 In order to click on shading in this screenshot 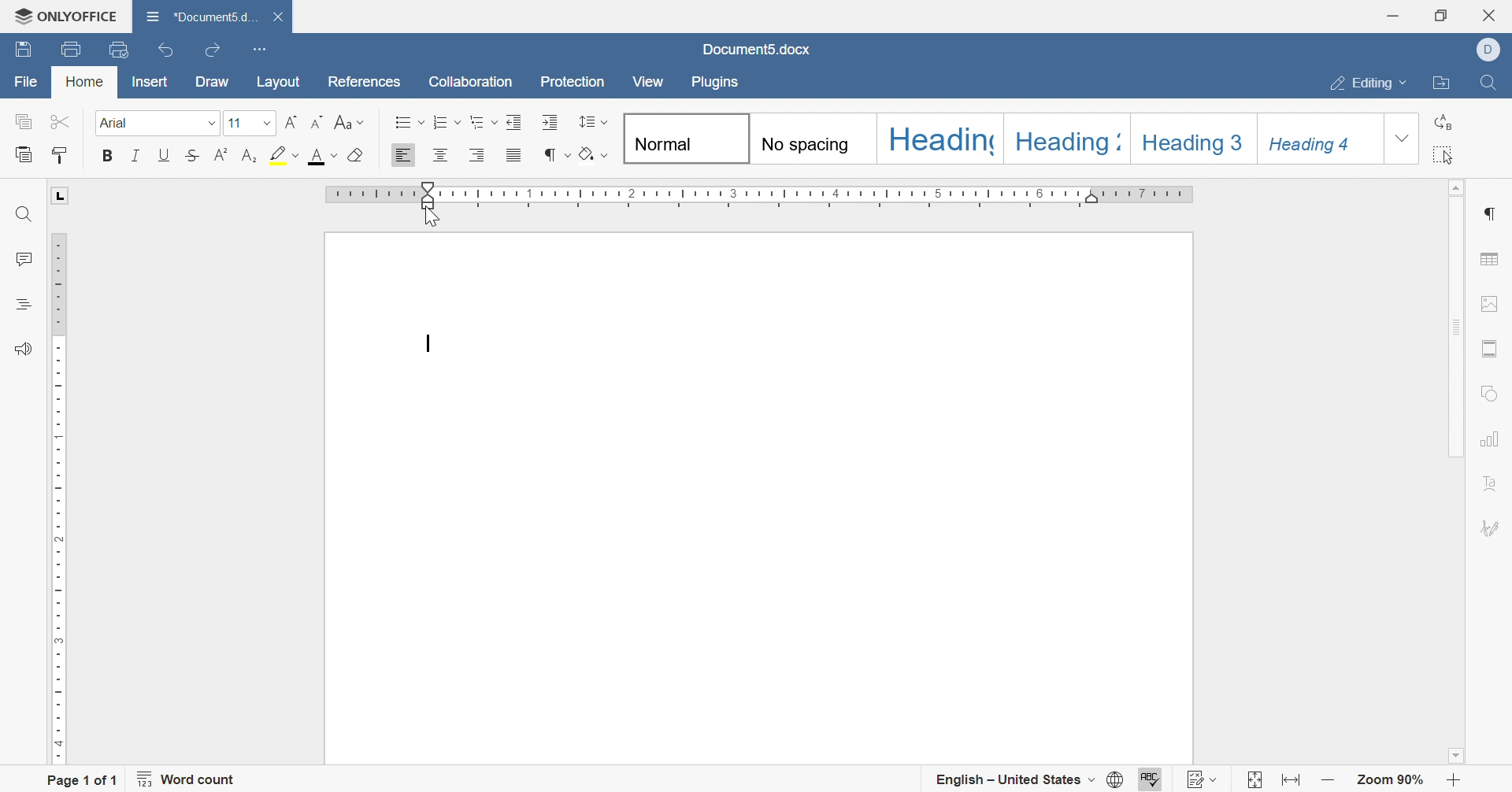, I will do `click(596, 157)`.